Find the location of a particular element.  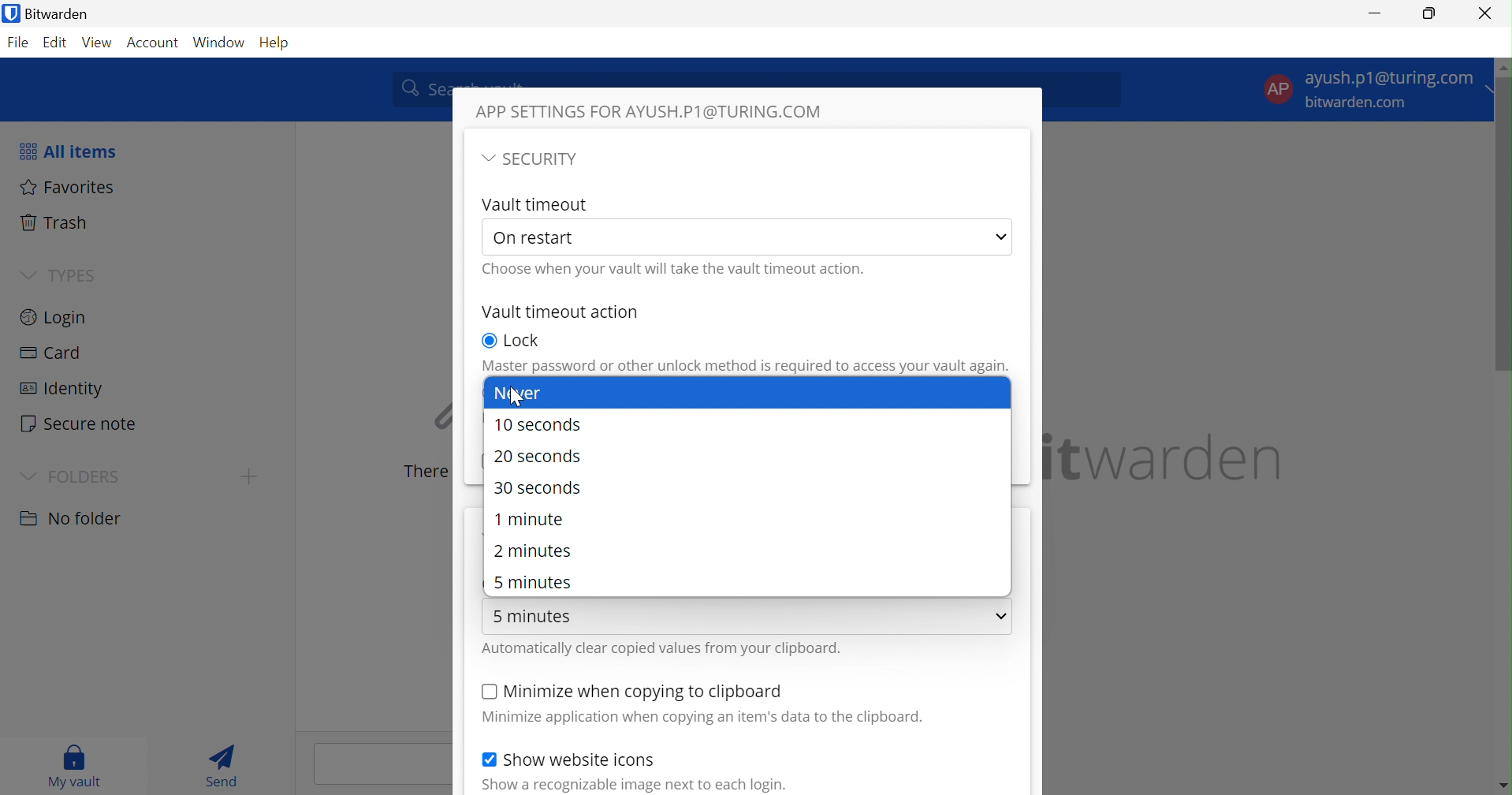

Restore Down is located at coordinates (1429, 14).